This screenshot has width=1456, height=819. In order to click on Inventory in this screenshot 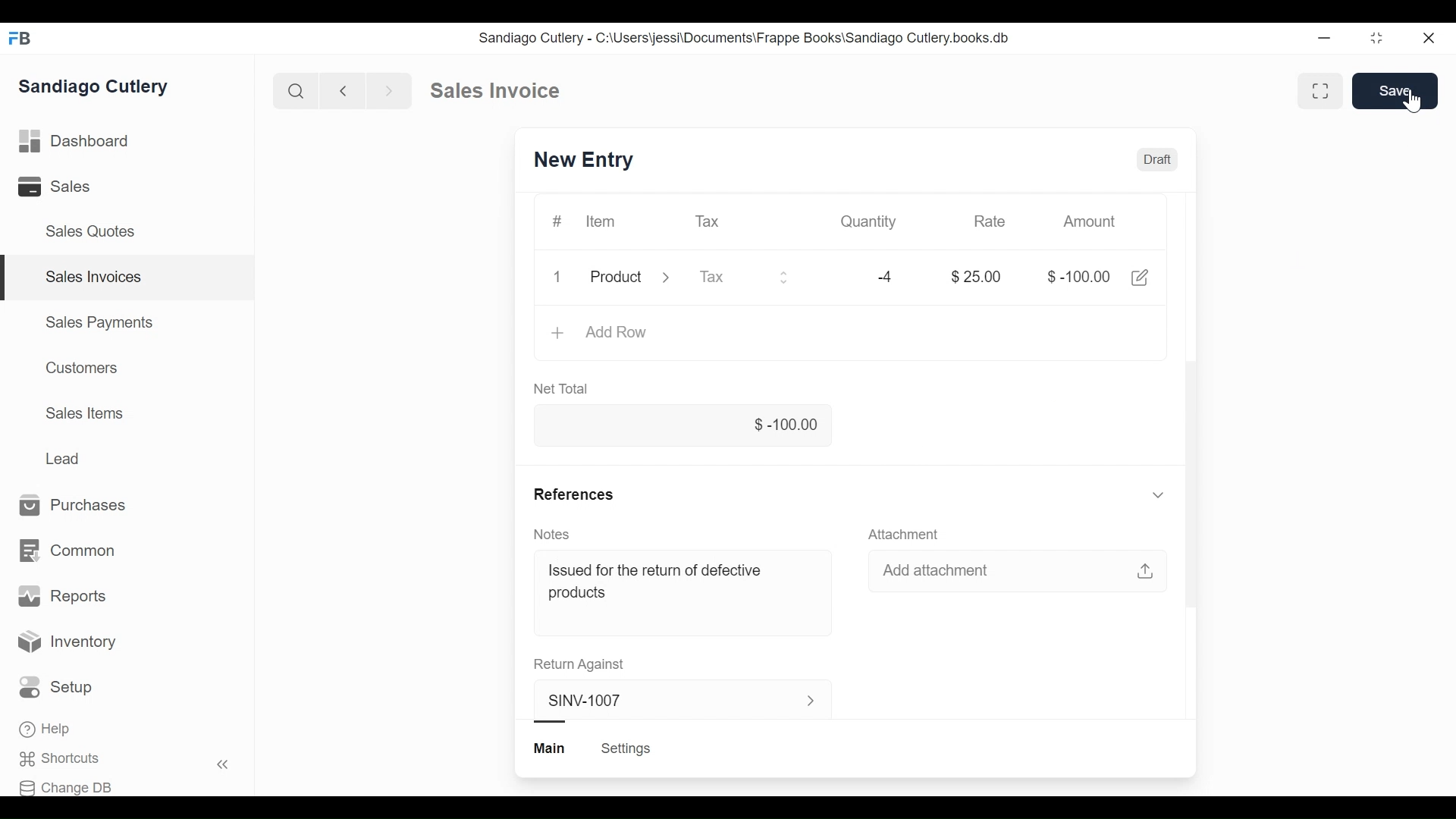, I will do `click(65, 639)`.